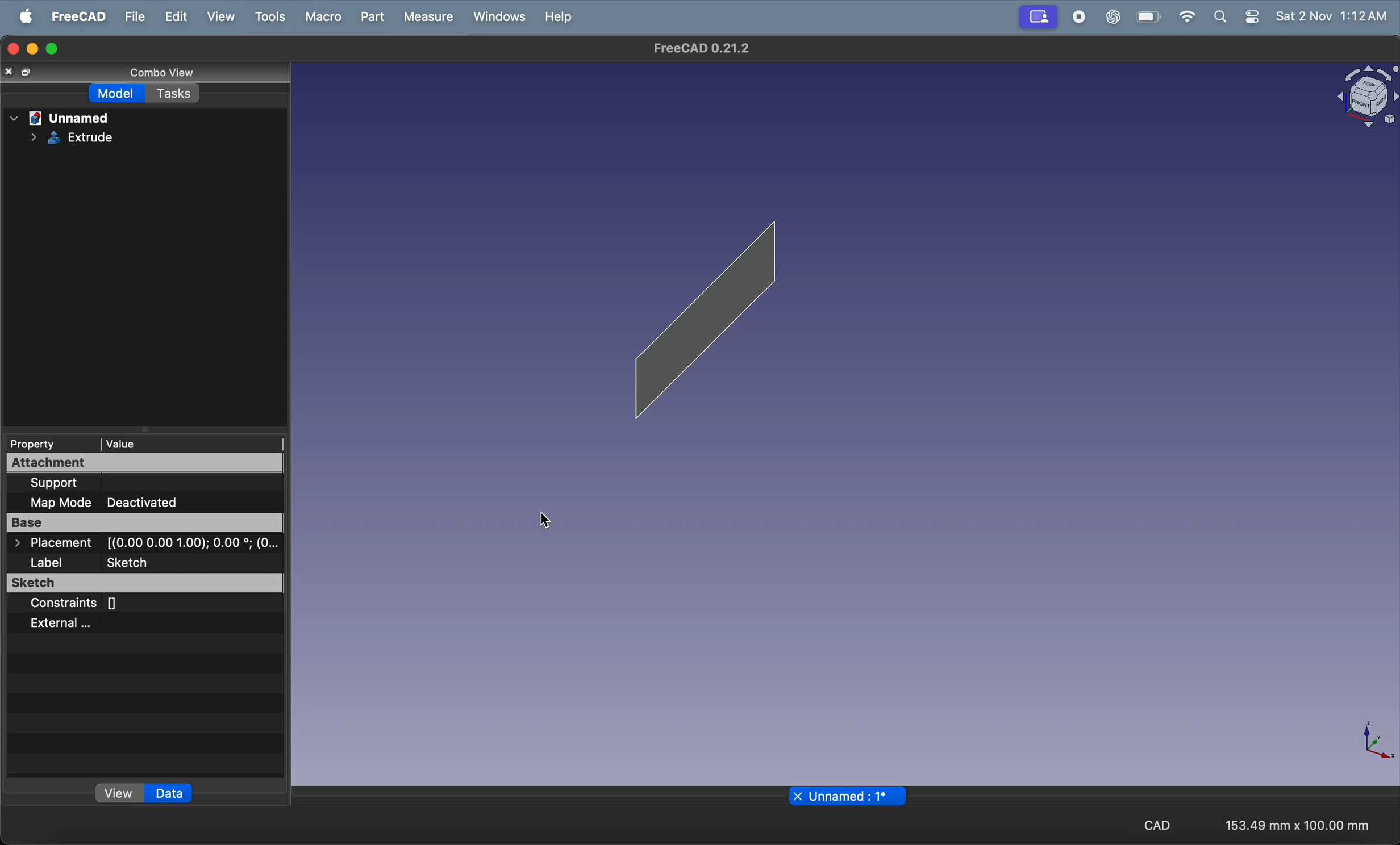  I want to click on map mode, so click(55, 503).